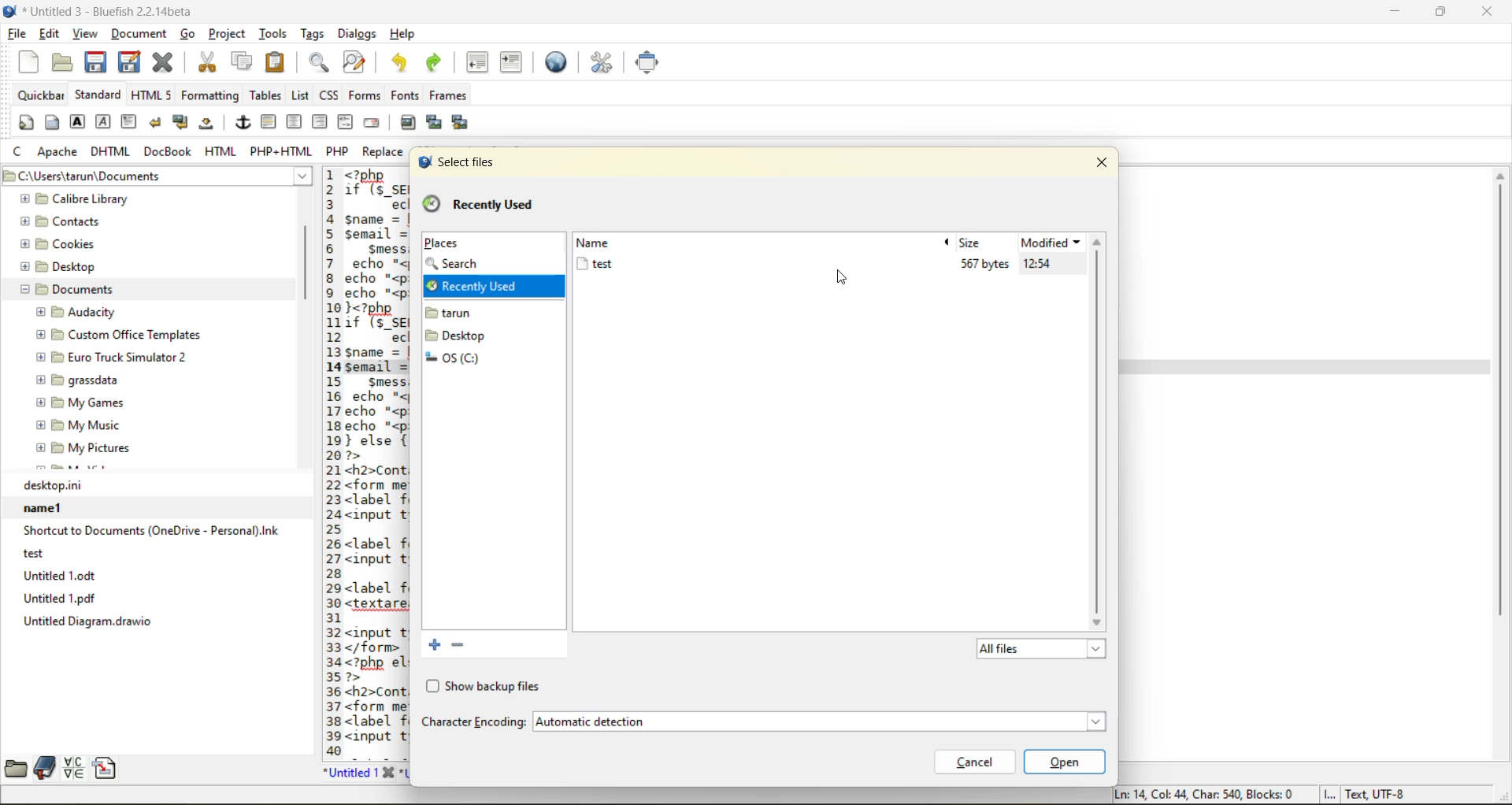  What do you see at coordinates (454, 95) in the screenshot?
I see `frames` at bounding box center [454, 95].